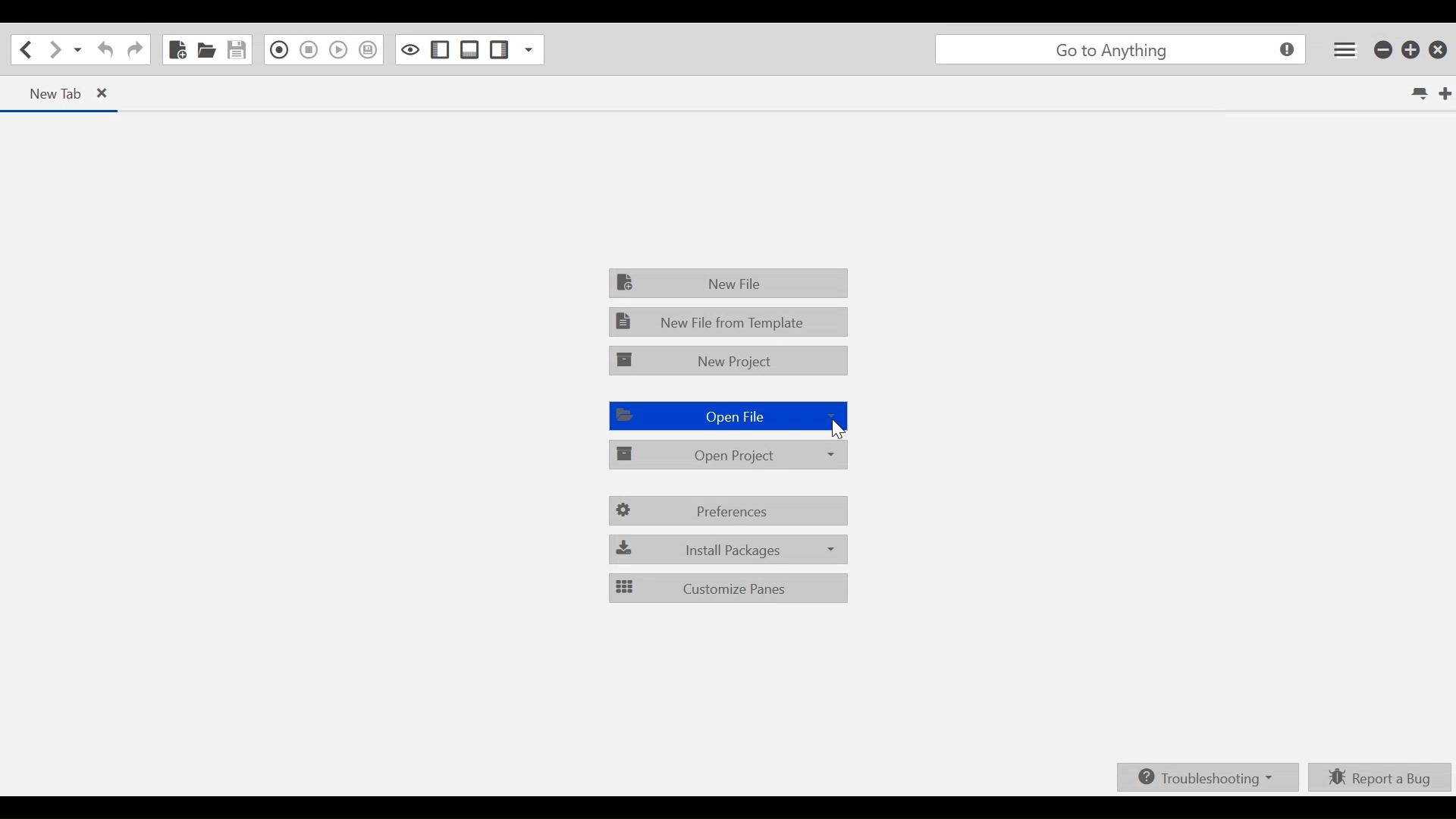 The image size is (1456, 819). Describe the element at coordinates (54, 49) in the screenshot. I see `Go forward one location` at that location.